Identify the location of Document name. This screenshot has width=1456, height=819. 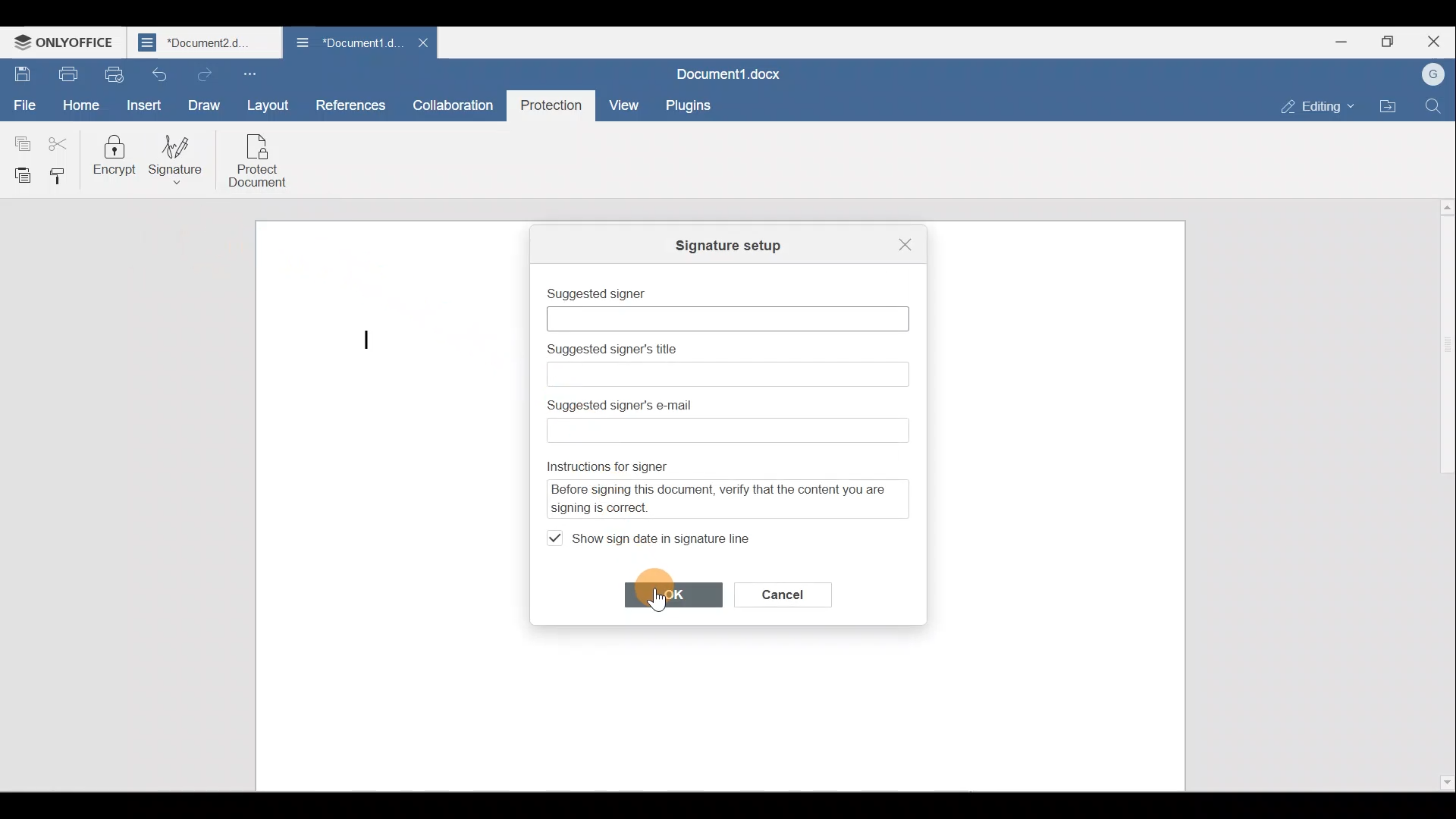
(206, 43).